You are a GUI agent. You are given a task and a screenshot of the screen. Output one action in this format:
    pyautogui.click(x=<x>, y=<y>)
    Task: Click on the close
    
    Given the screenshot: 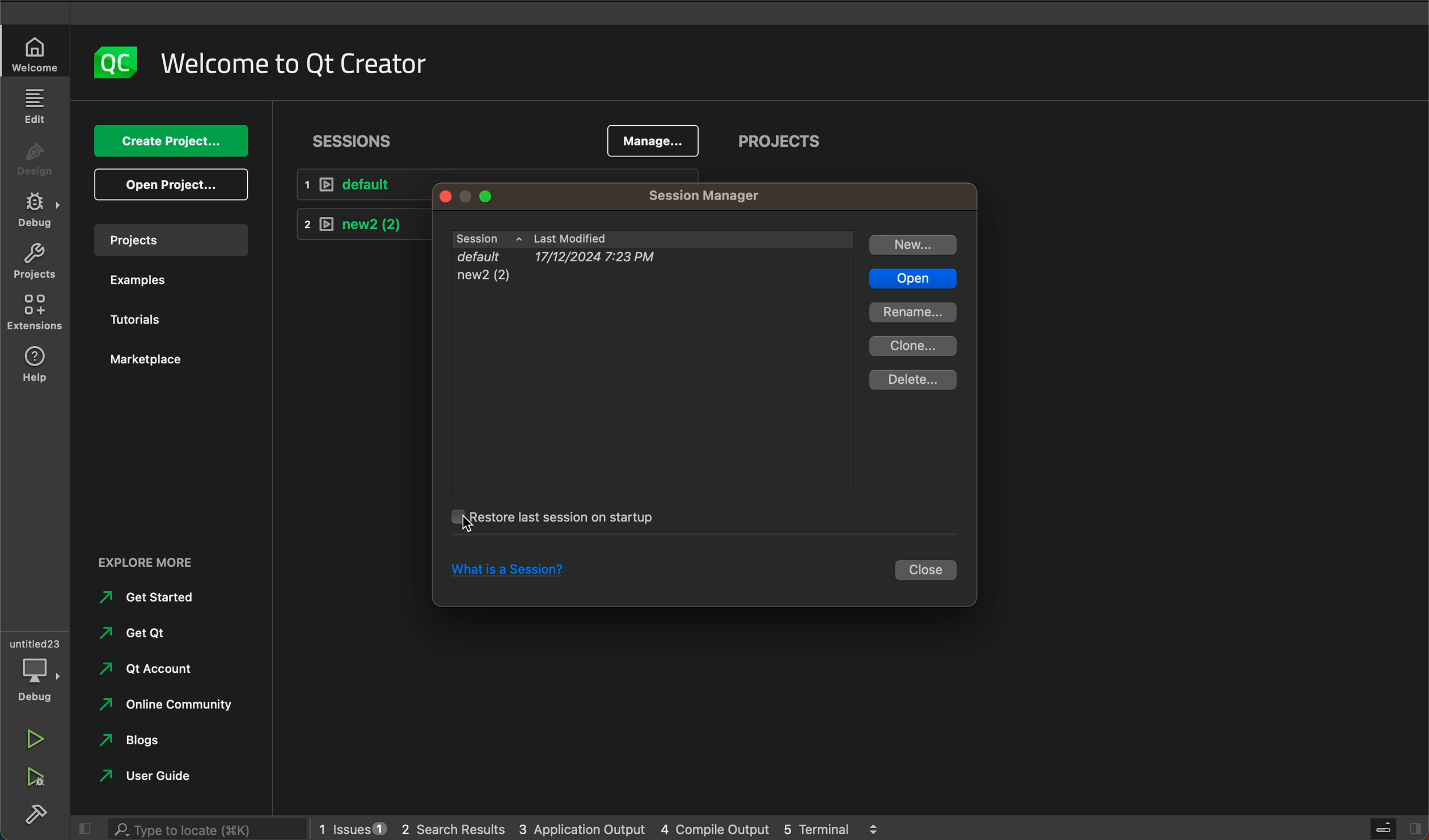 What is the action you would take?
    pyautogui.click(x=925, y=570)
    